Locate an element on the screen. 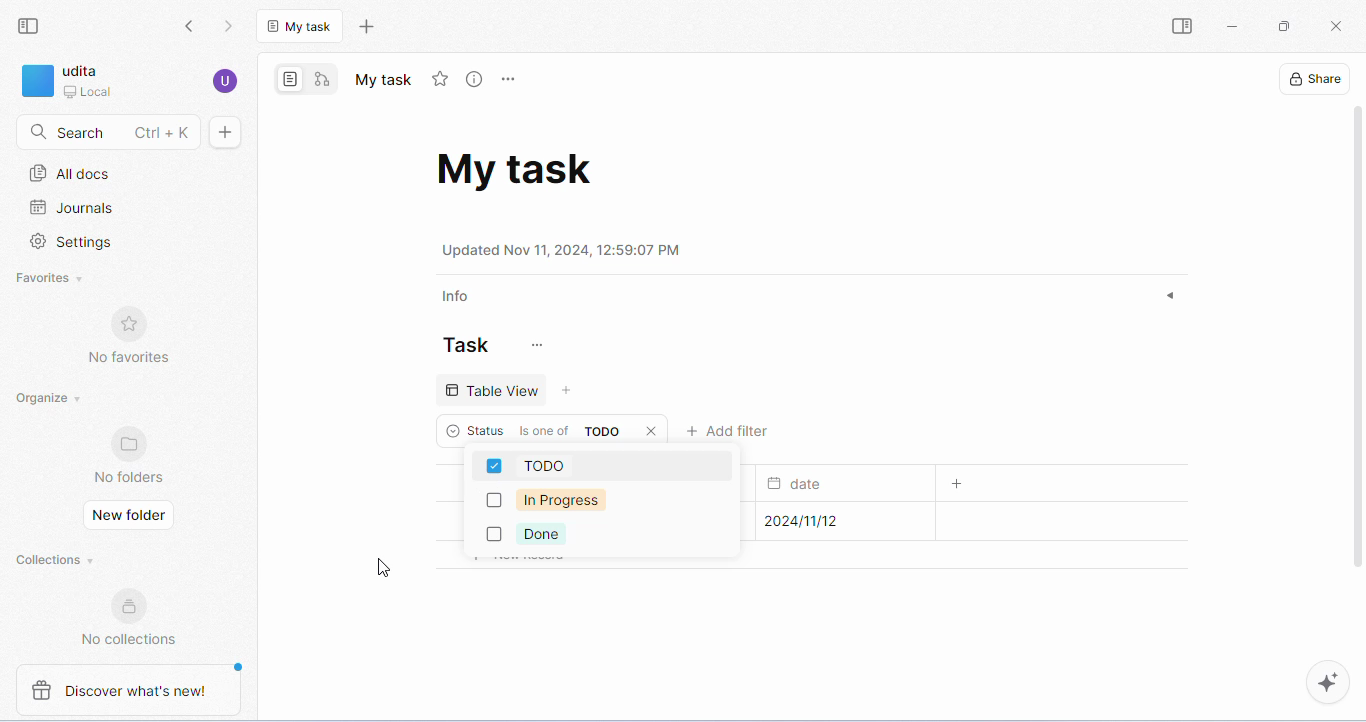  organize is located at coordinates (48, 398).